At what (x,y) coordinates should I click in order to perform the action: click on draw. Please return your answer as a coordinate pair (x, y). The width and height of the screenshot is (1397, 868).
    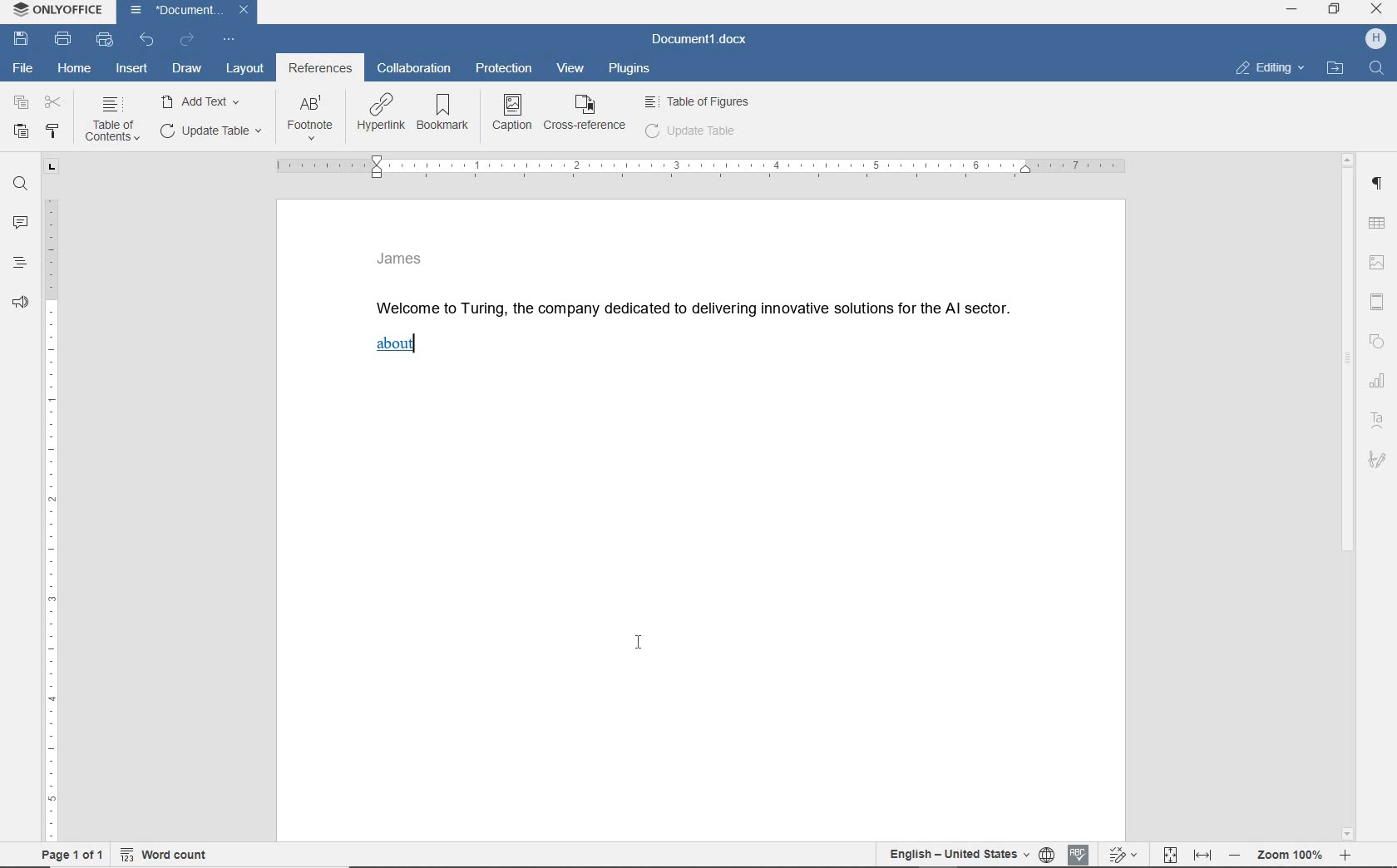
    Looking at the image, I should click on (188, 69).